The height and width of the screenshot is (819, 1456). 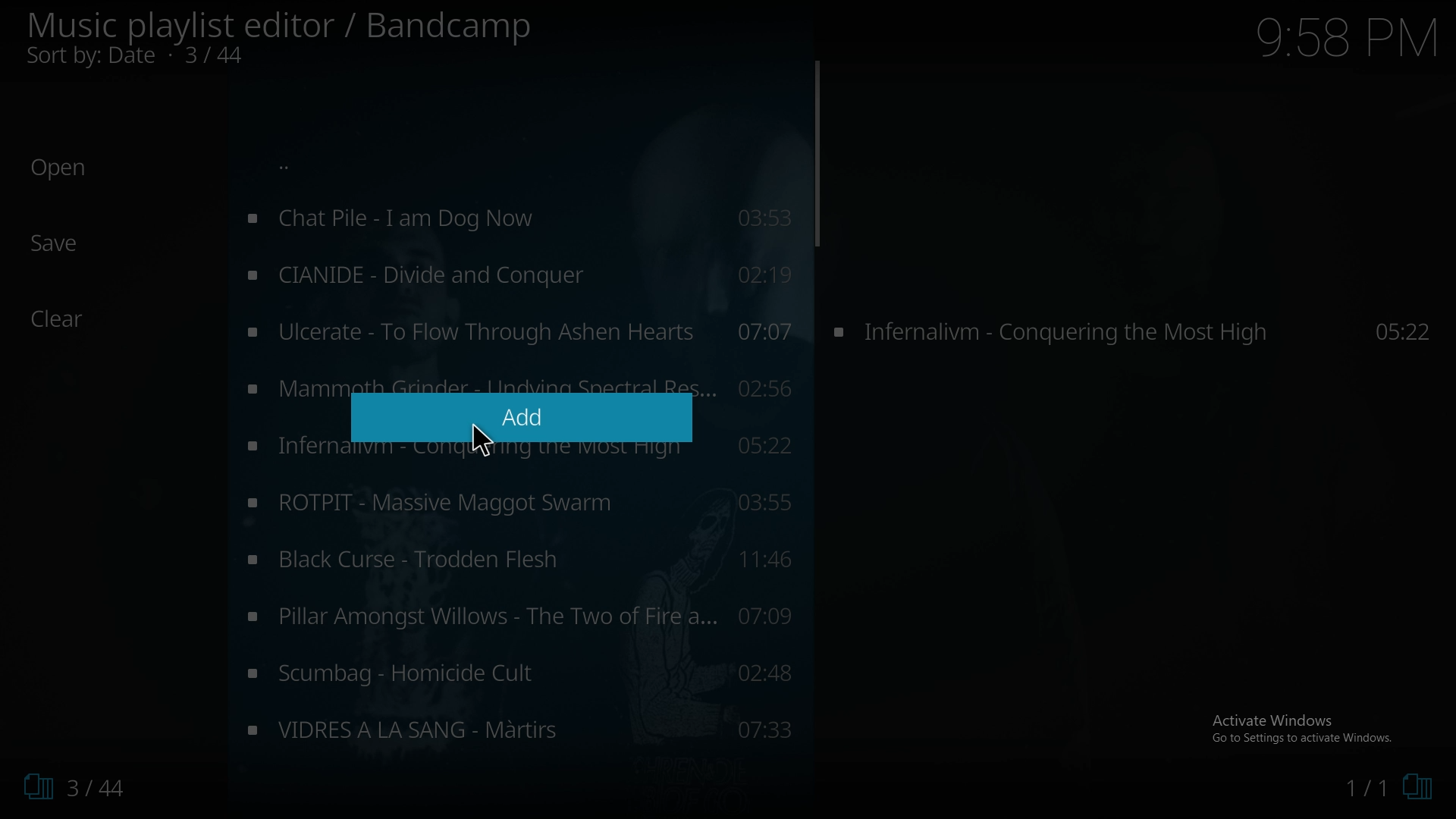 What do you see at coordinates (816, 153) in the screenshot?
I see `scroll bar` at bounding box center [816, 153].